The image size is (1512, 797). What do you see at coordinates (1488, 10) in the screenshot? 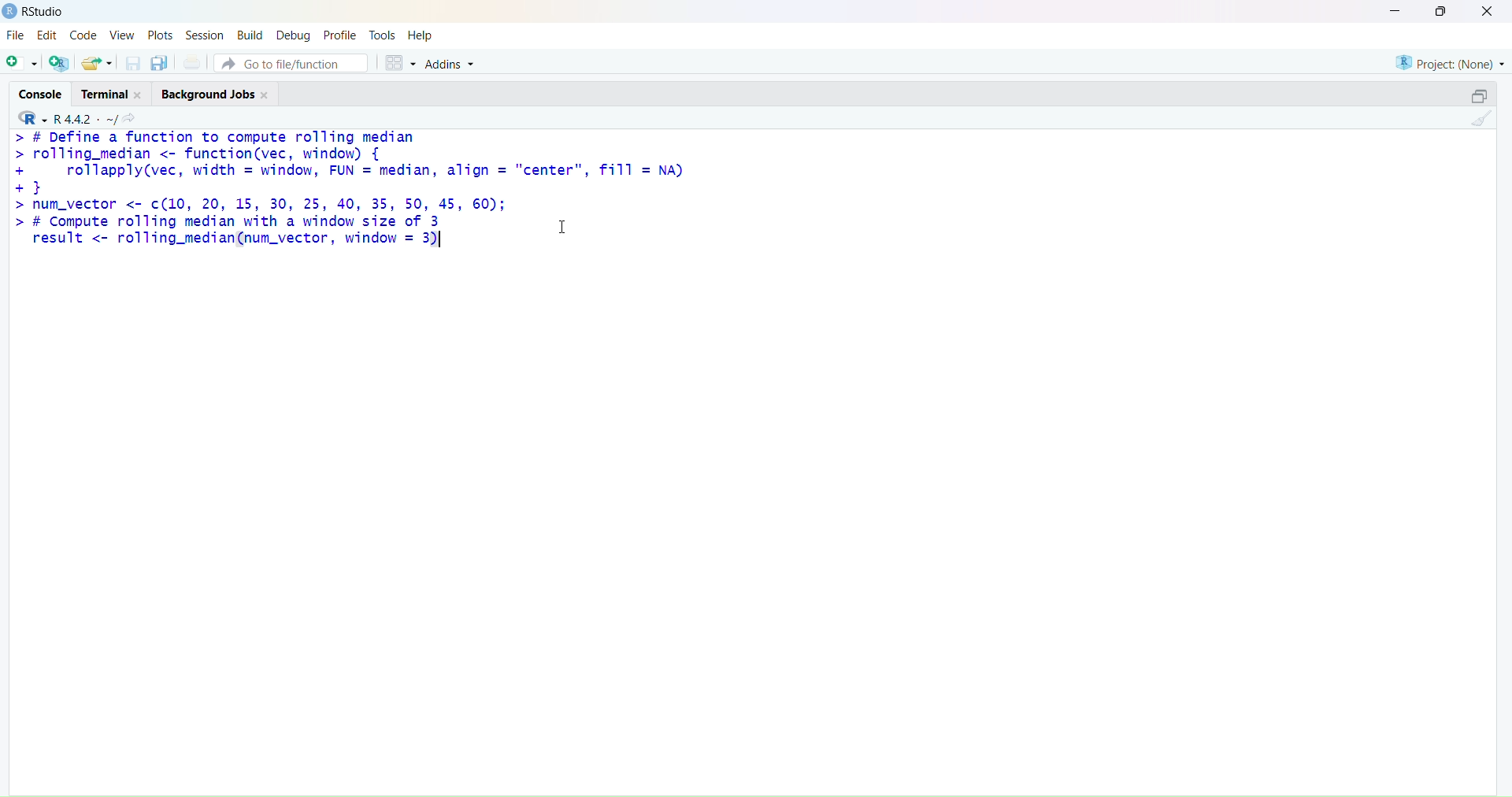
I see `close` at bounding box center [1488, 10].